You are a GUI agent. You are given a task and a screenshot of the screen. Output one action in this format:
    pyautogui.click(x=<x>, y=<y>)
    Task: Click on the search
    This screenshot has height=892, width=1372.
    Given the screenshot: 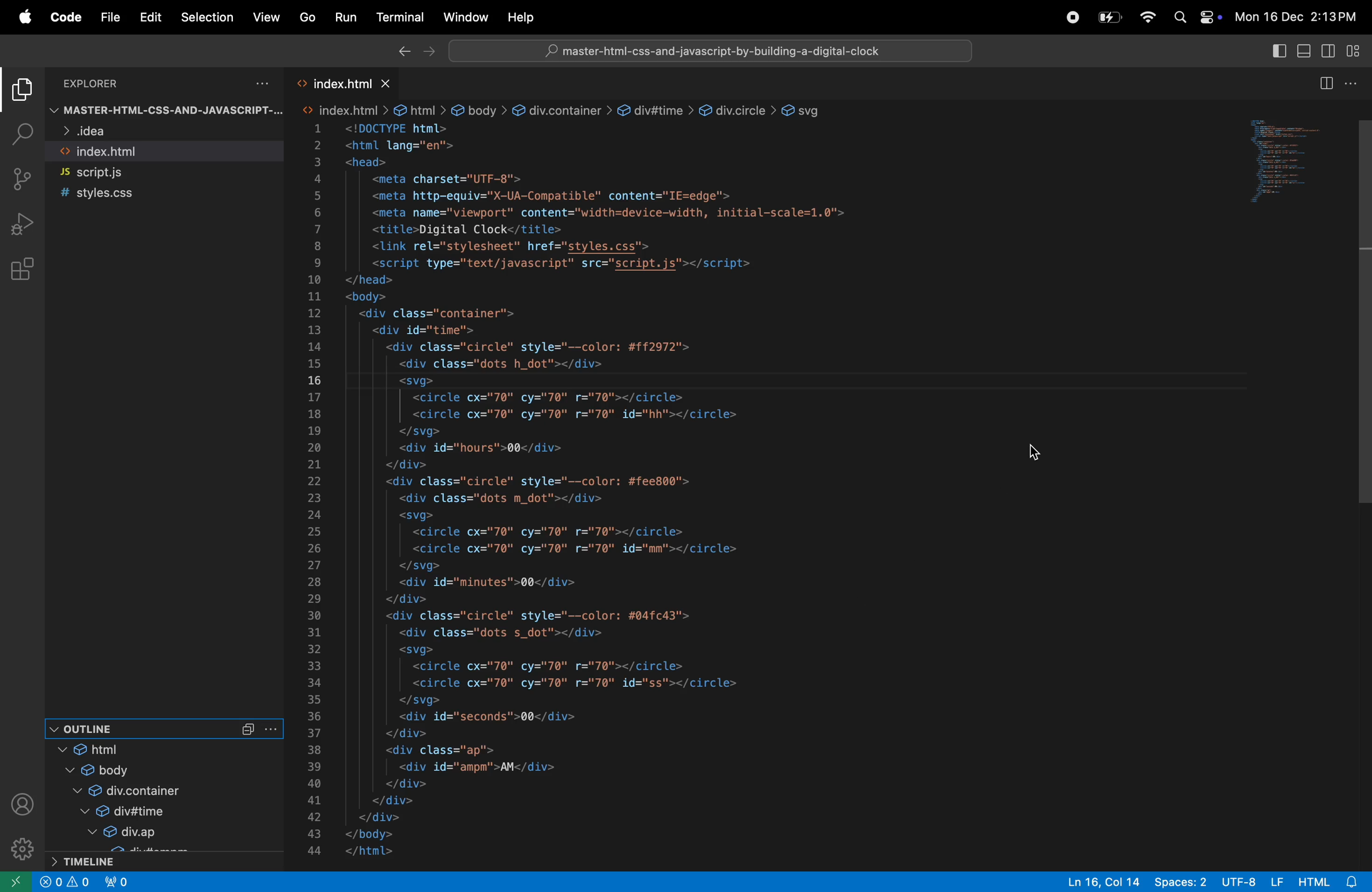 What is the action you would take?
    pyautogui.click(x=21, y=135)
    